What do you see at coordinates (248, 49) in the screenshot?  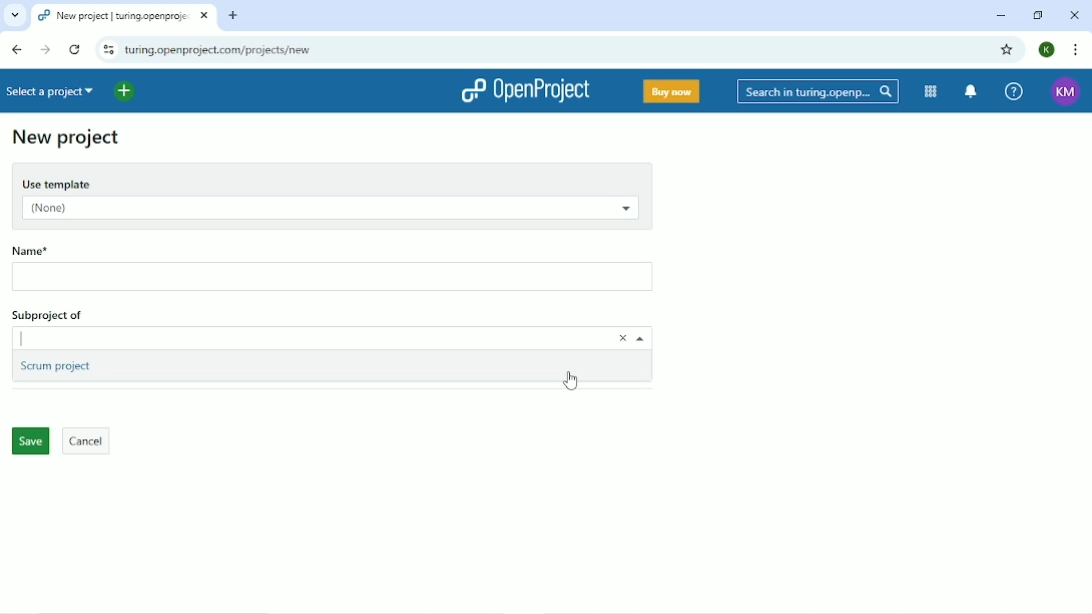 I see `turing.openproject.com/projects/new` at bounding box center [248, 49].